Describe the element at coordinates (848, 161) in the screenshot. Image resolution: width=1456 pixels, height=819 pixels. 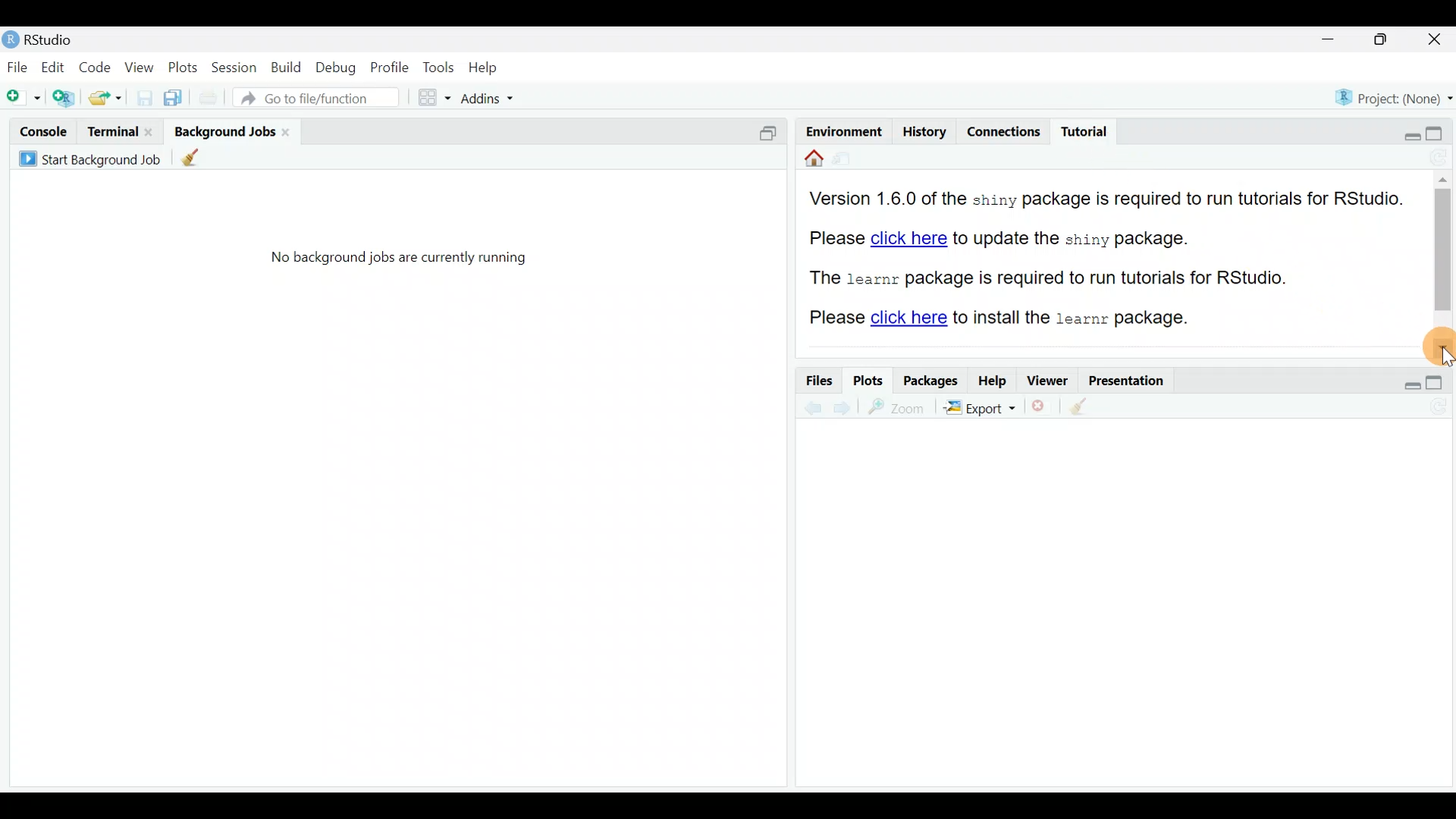
I see `show in new window` at that location.